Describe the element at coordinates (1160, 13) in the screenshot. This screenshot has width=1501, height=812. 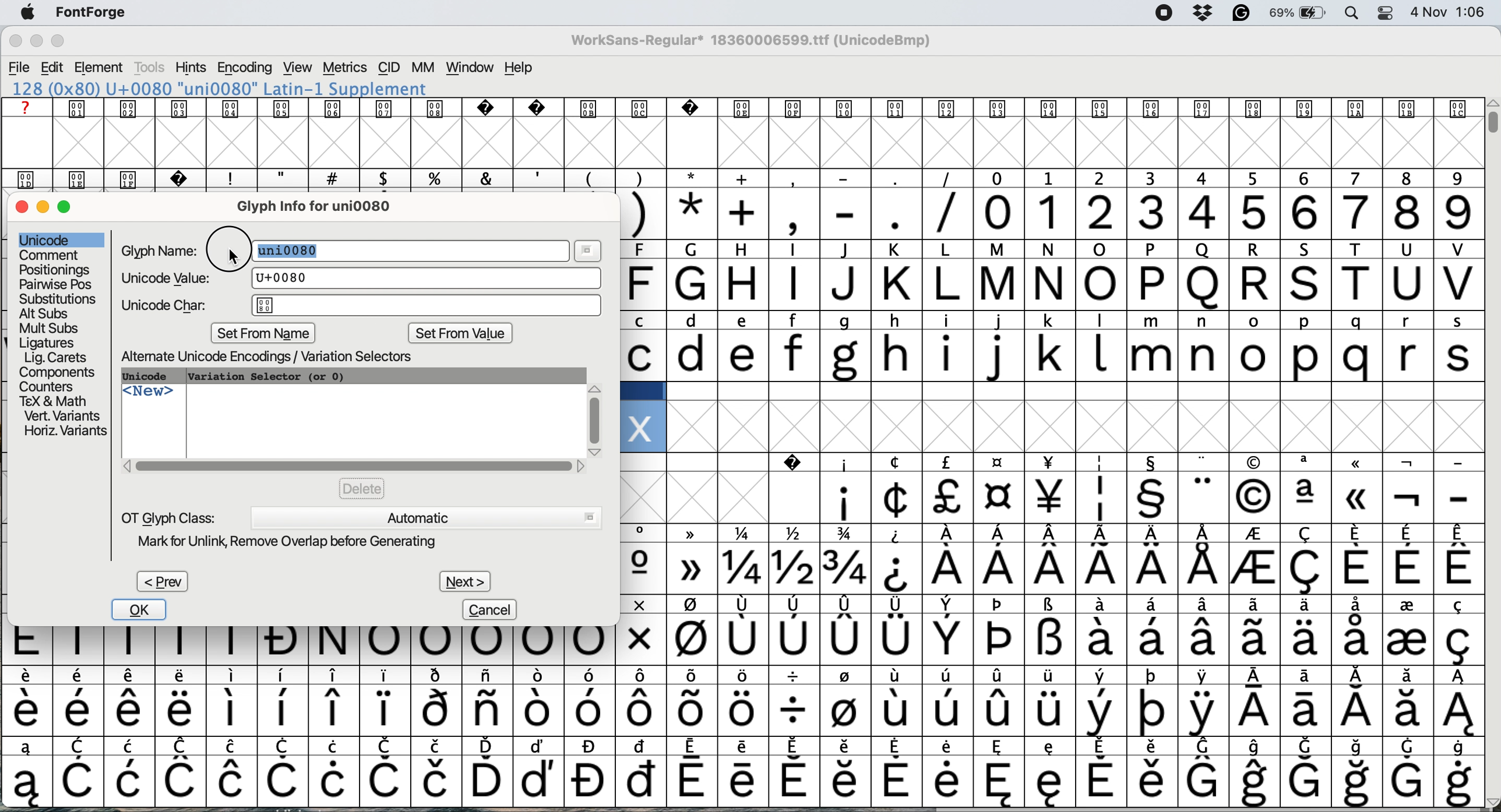
I see `screen recorder` at that location.